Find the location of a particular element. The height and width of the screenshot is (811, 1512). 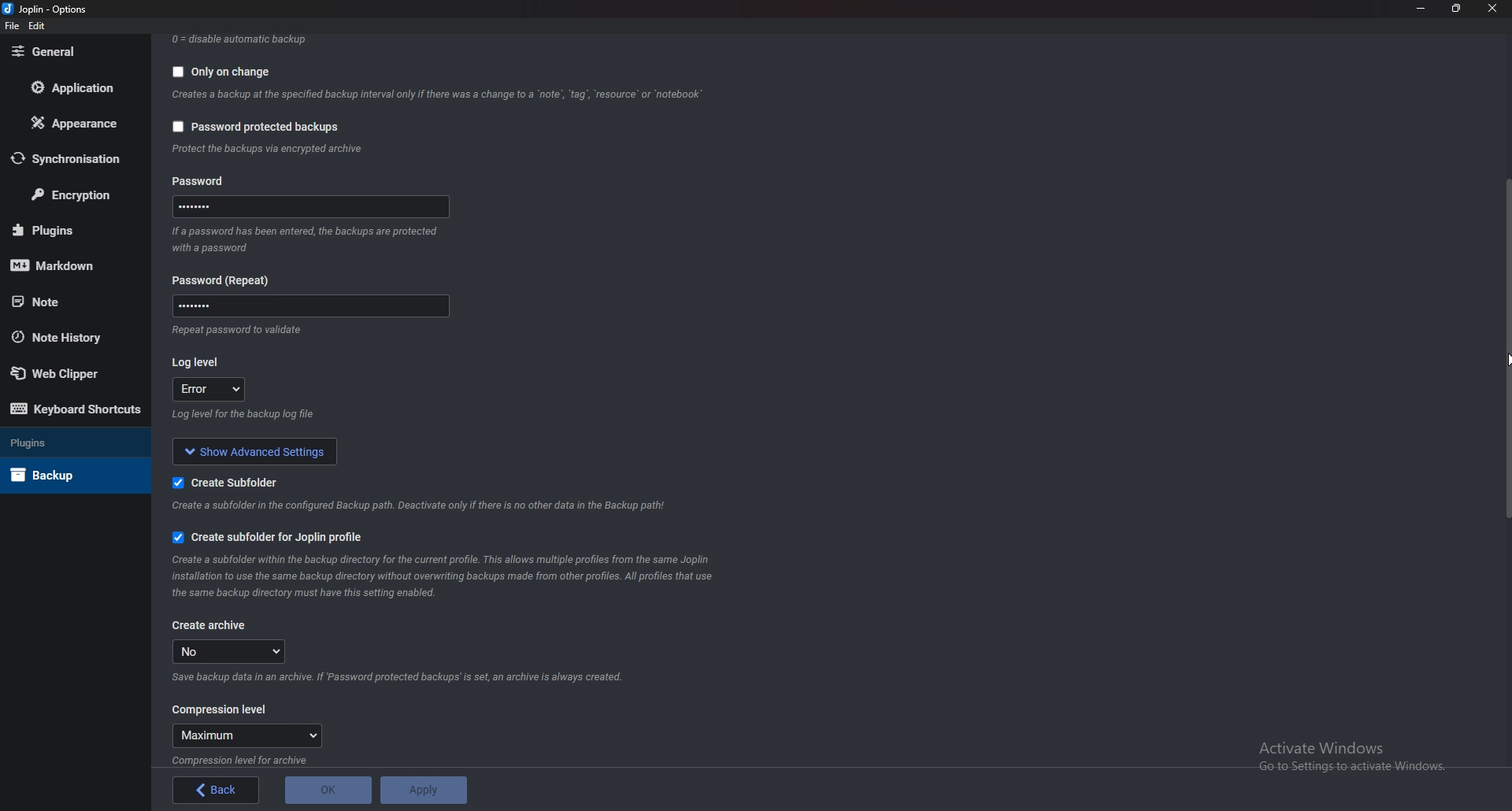

error is located at coordinates (207, 388).